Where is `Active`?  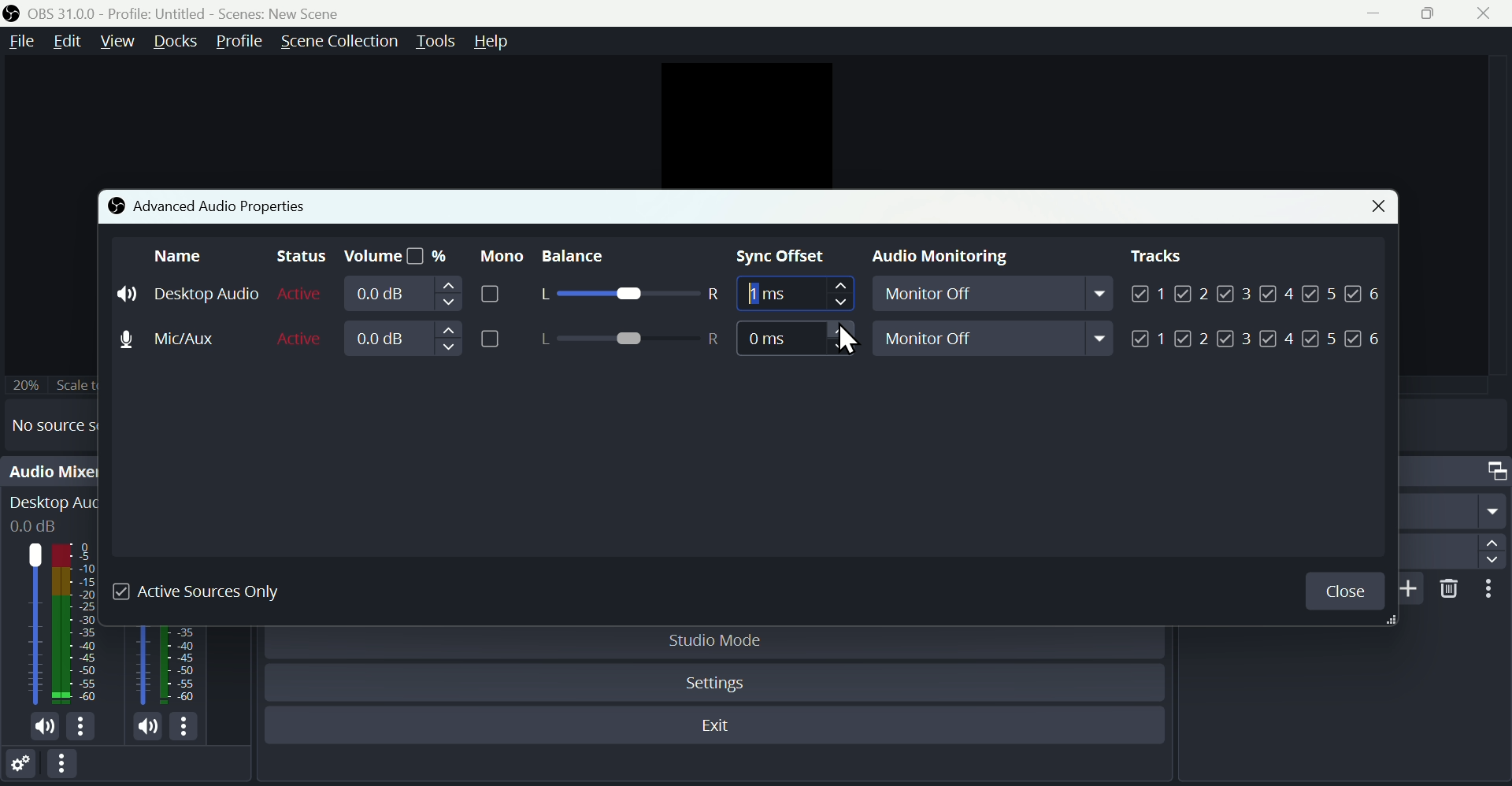 Active is located at coordinates (302, 337).